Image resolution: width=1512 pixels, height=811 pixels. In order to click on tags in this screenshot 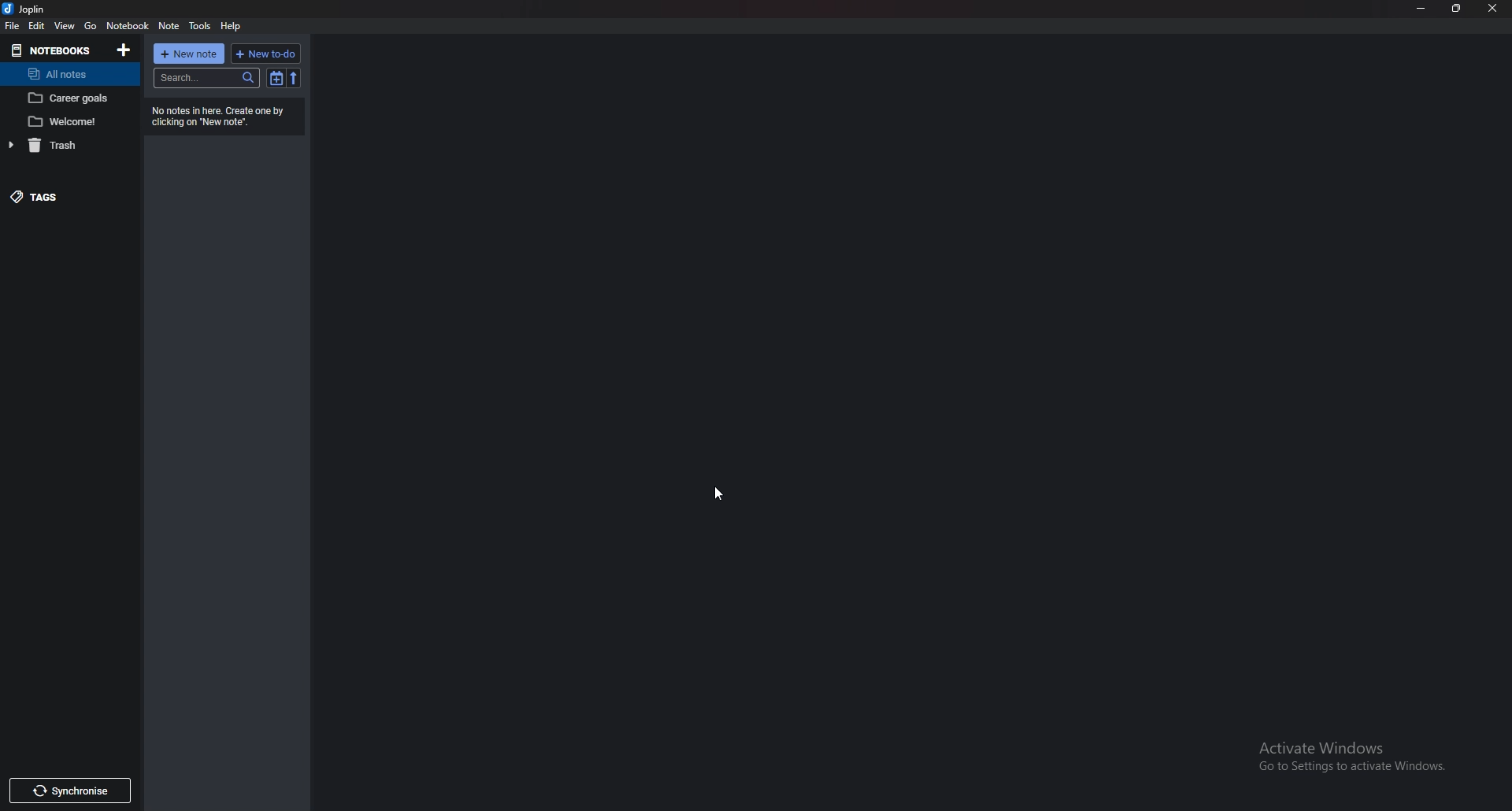, I will do `click(50, 198)`.